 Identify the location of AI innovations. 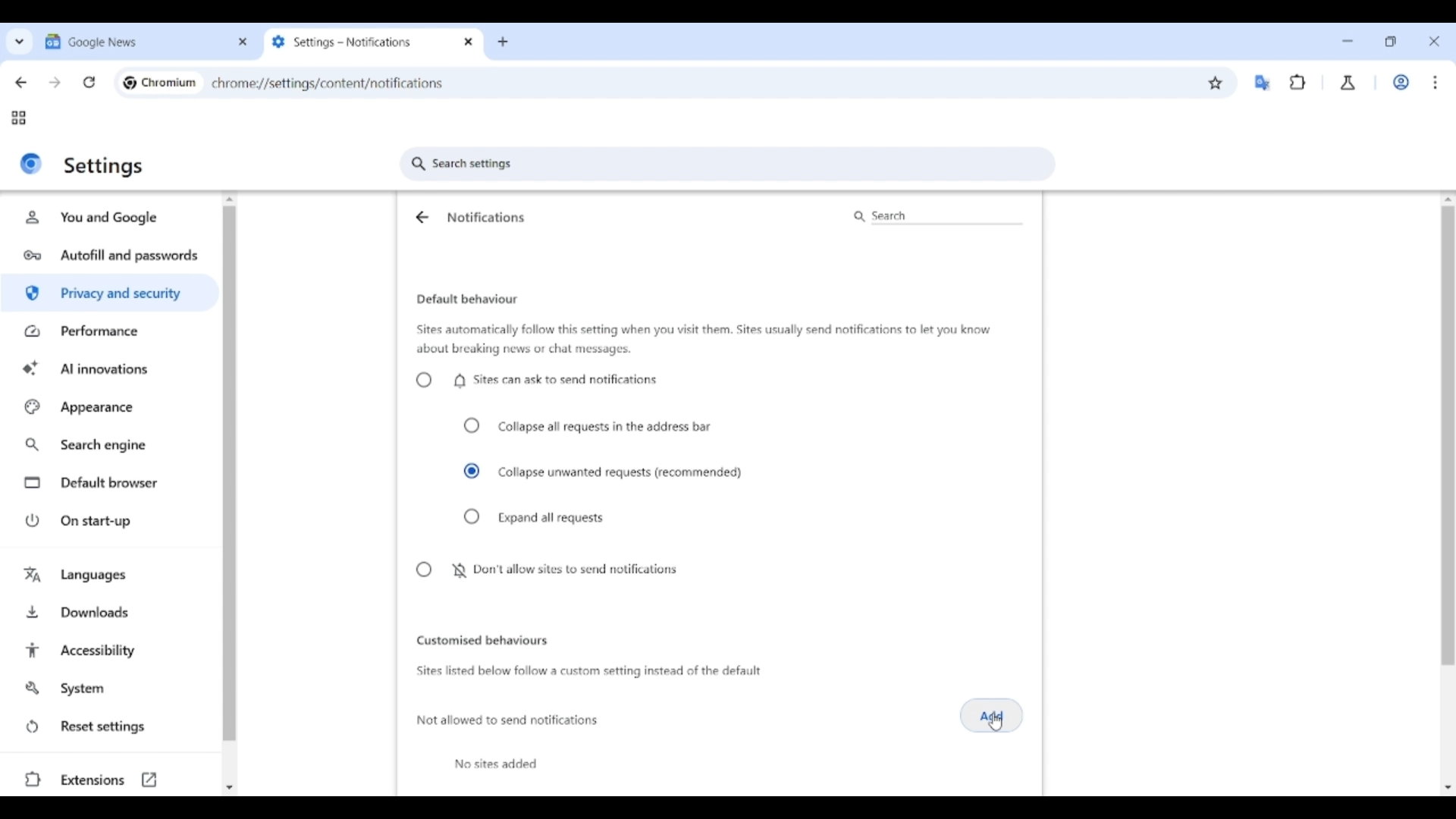
(111, 367).